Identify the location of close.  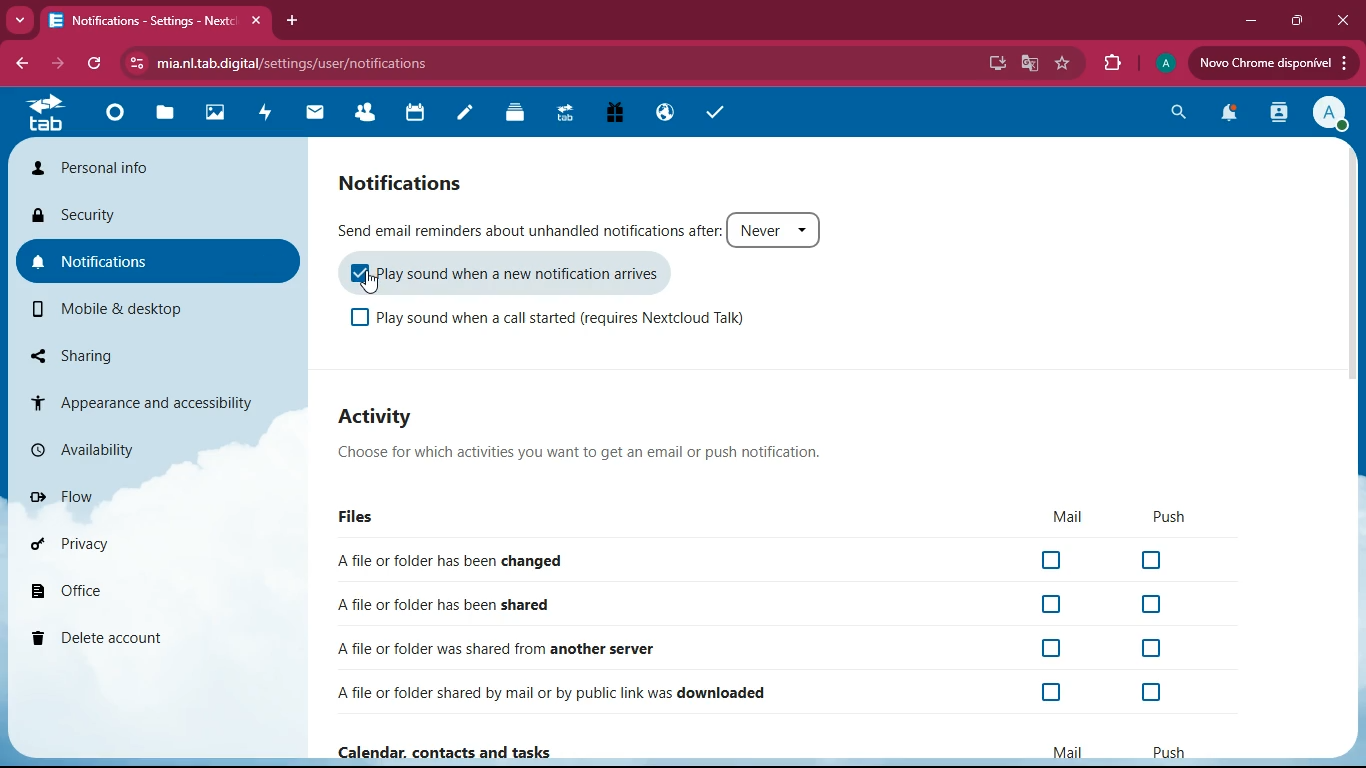
(1340, 20).